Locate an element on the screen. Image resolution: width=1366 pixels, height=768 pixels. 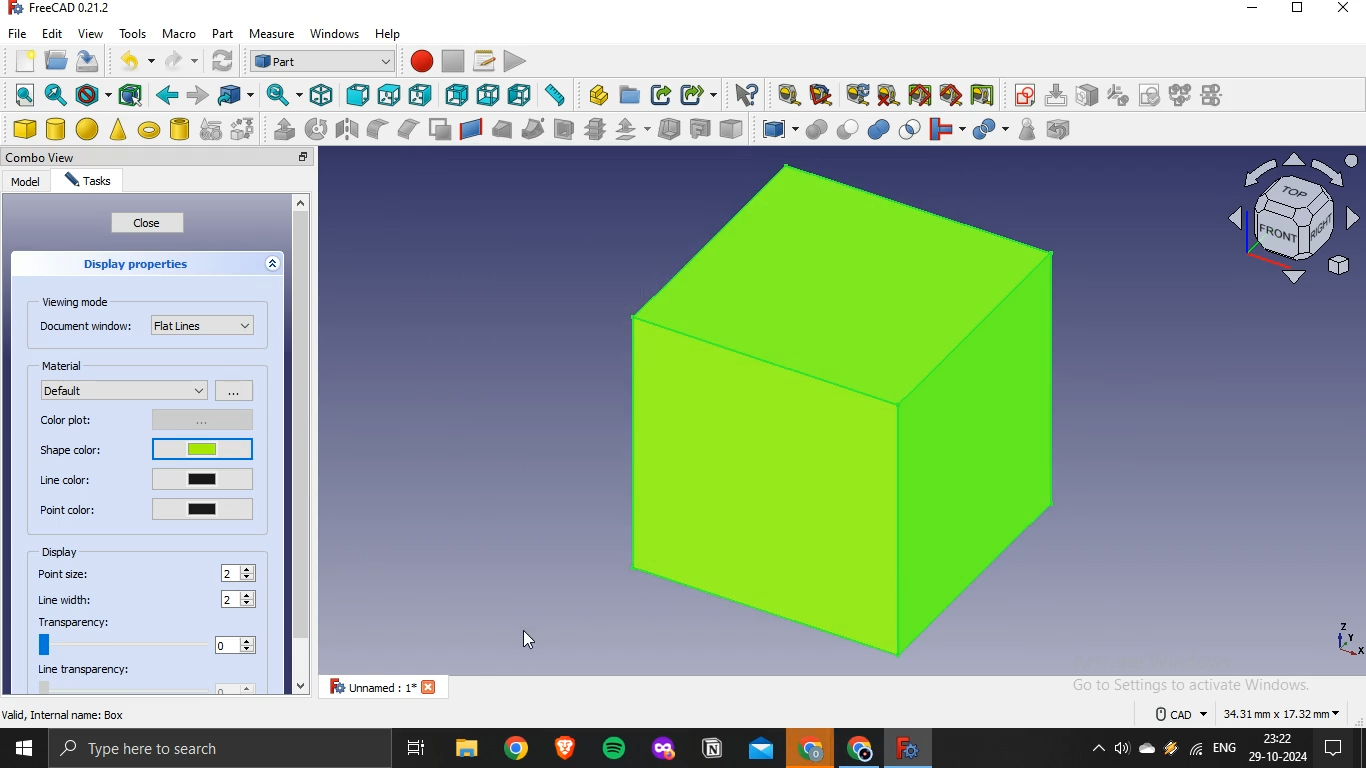
chamfer is located at coordinates (407, 128).